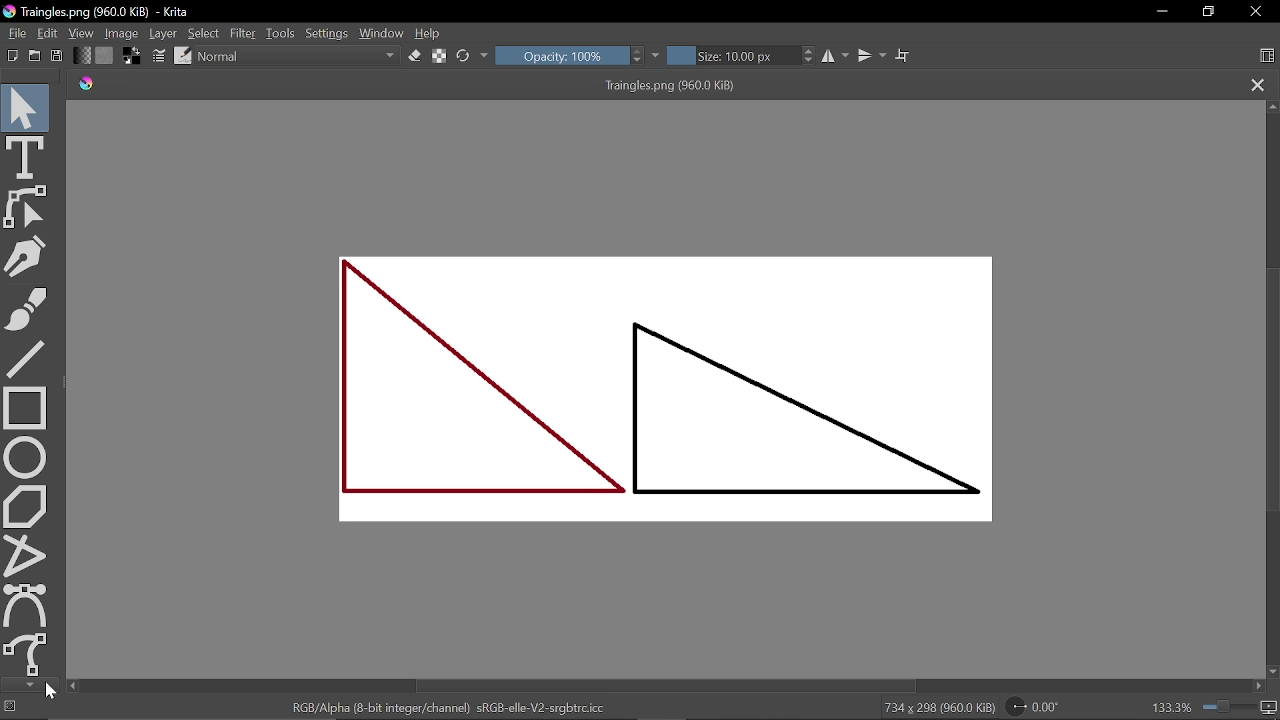  What do you see at coordinates (27, 106) in the screenshot?
I see `Select` at bounding box center [27, 106].